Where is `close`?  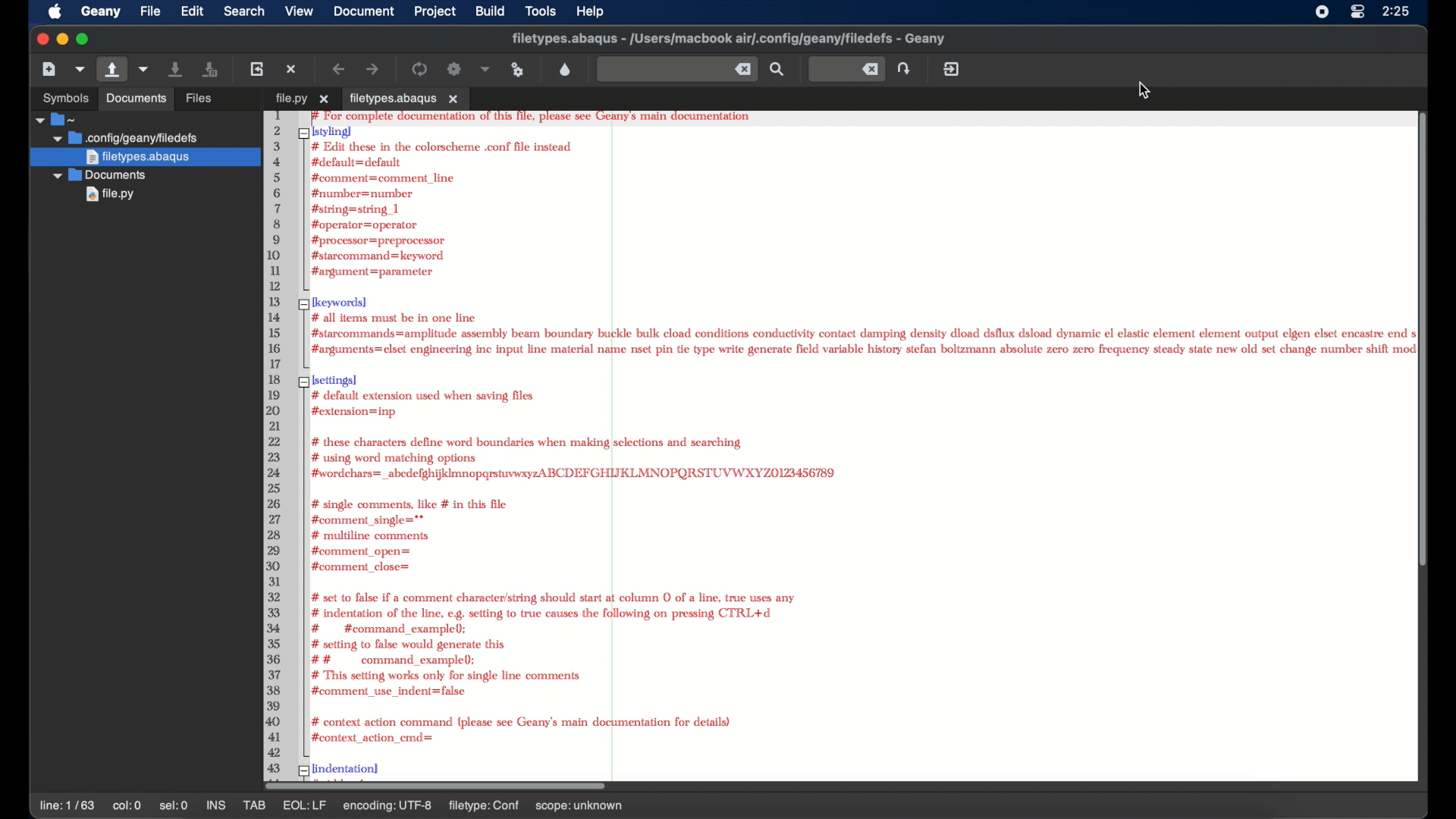
close is located at coordinates (40, 39).